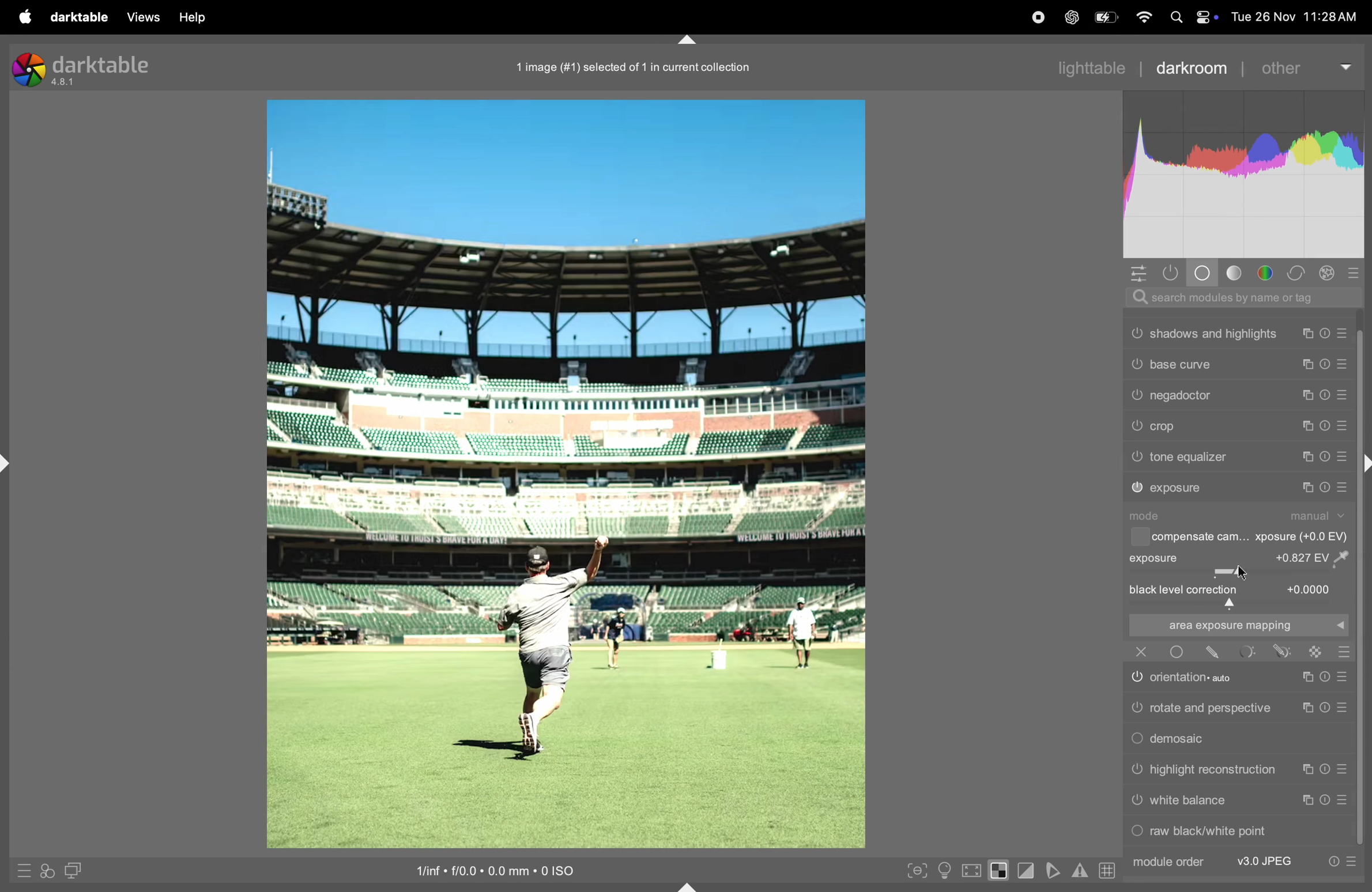 Image resolution: width=1372 pixels, height=892 pixels. What do you see at coordinates (77, 16) in the screenshot?
I see `dark table` at bounding box center [77, 16].